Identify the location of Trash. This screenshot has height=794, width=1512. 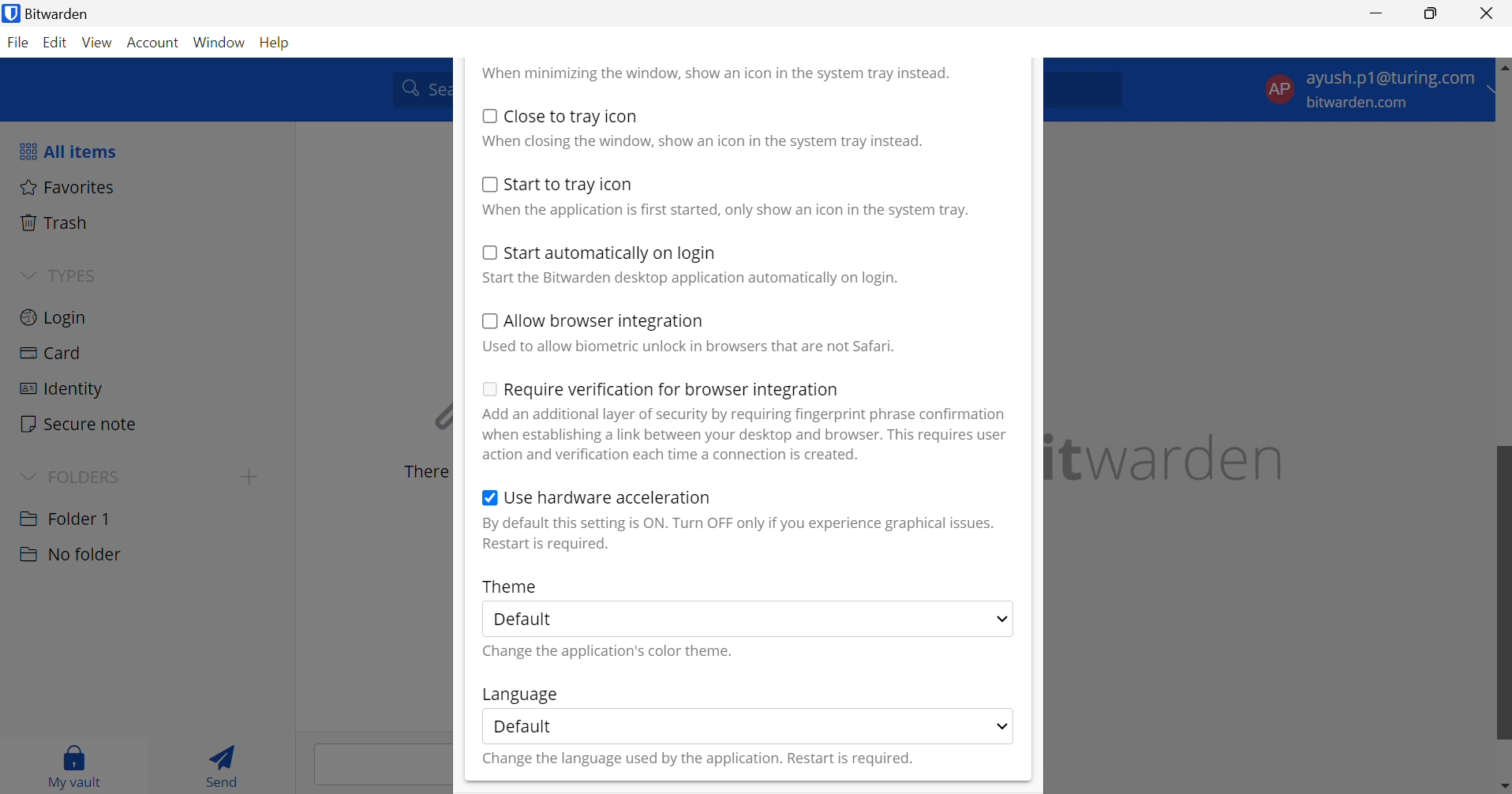
(56, 223).